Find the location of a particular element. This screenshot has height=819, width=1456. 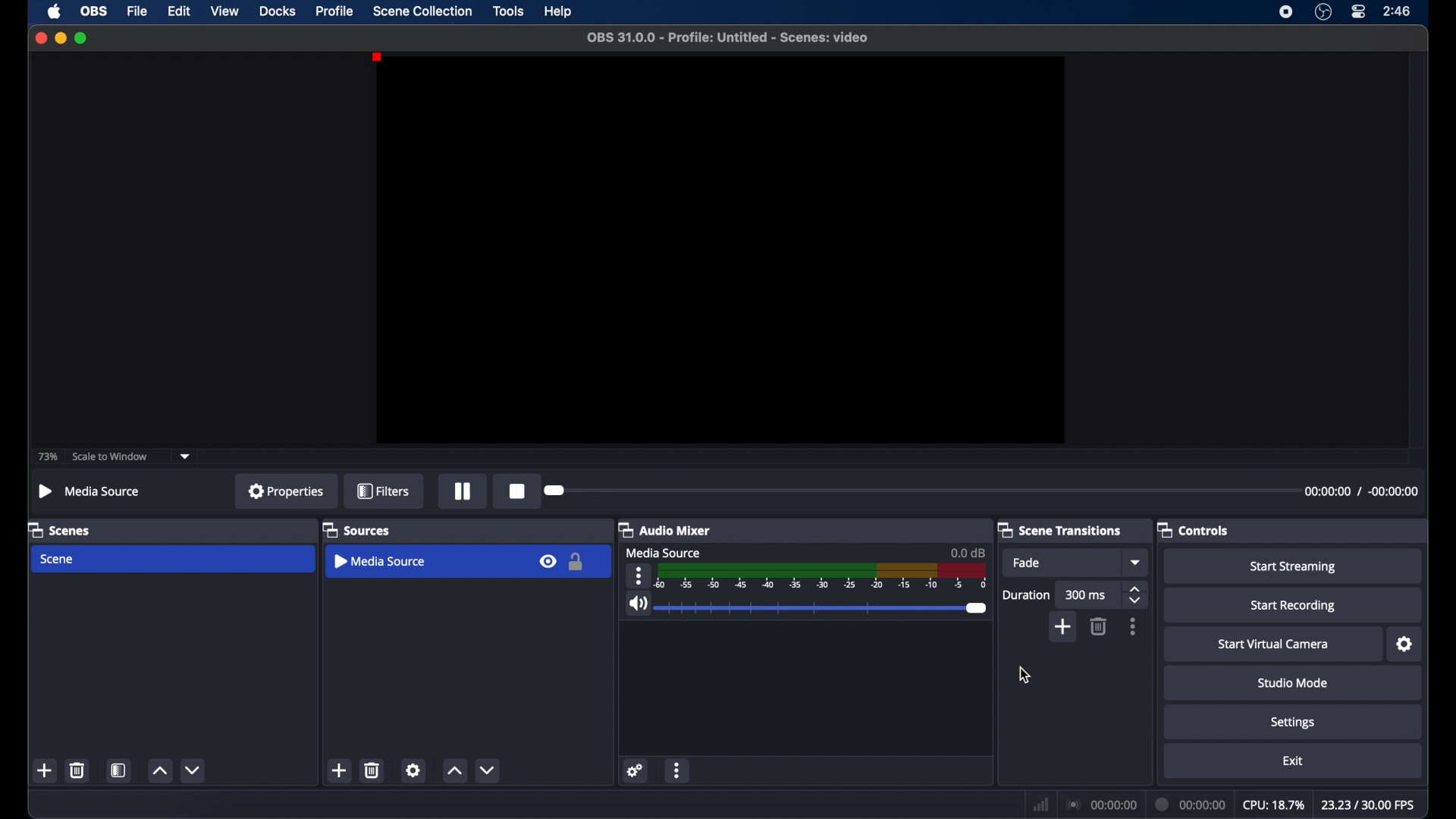

start streaming is located at coordinates (1294, 567).